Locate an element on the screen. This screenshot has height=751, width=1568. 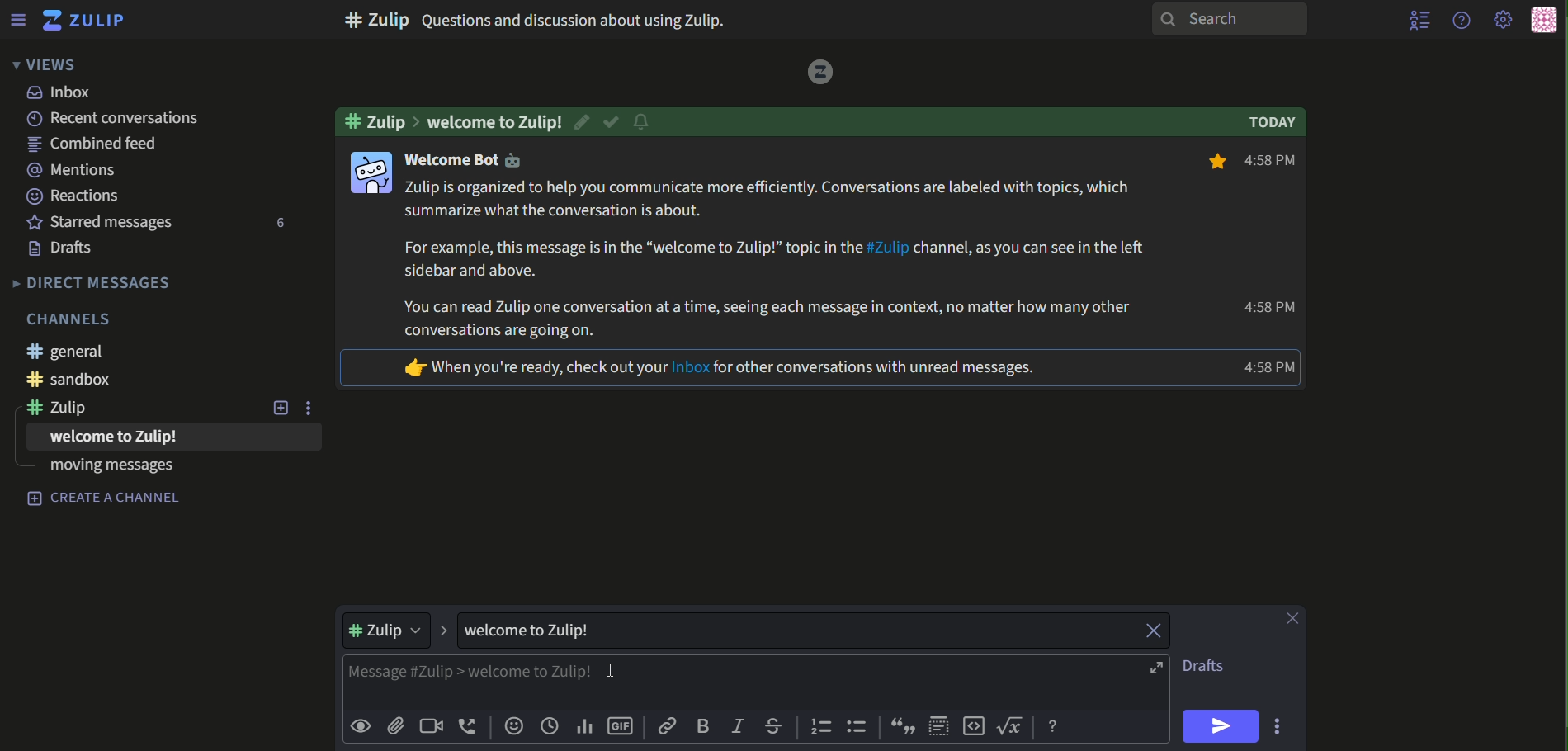
icon is located at coordinates (370, 172).